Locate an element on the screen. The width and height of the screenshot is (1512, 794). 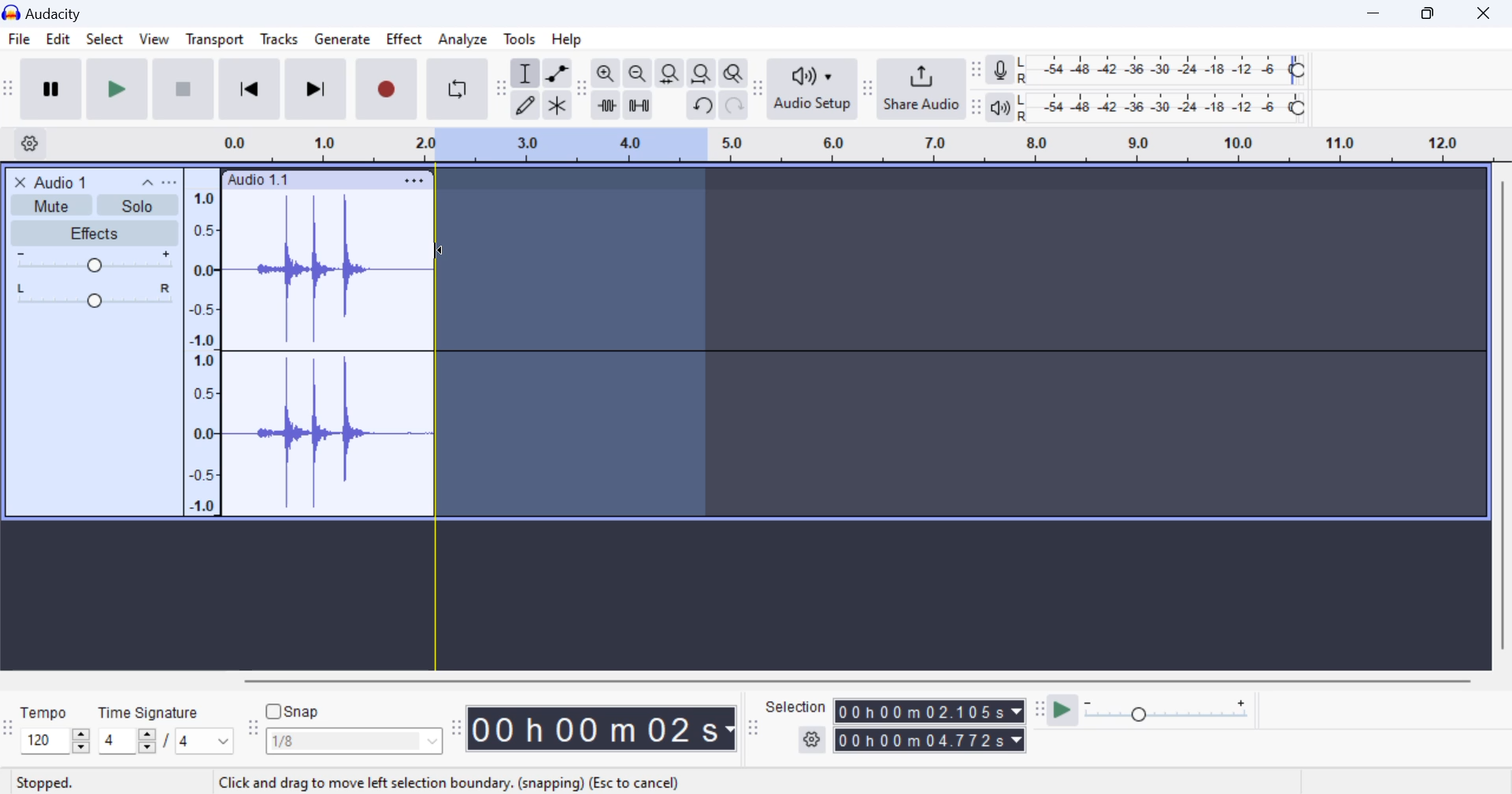
multi tool is located at coordinates (558, 106).